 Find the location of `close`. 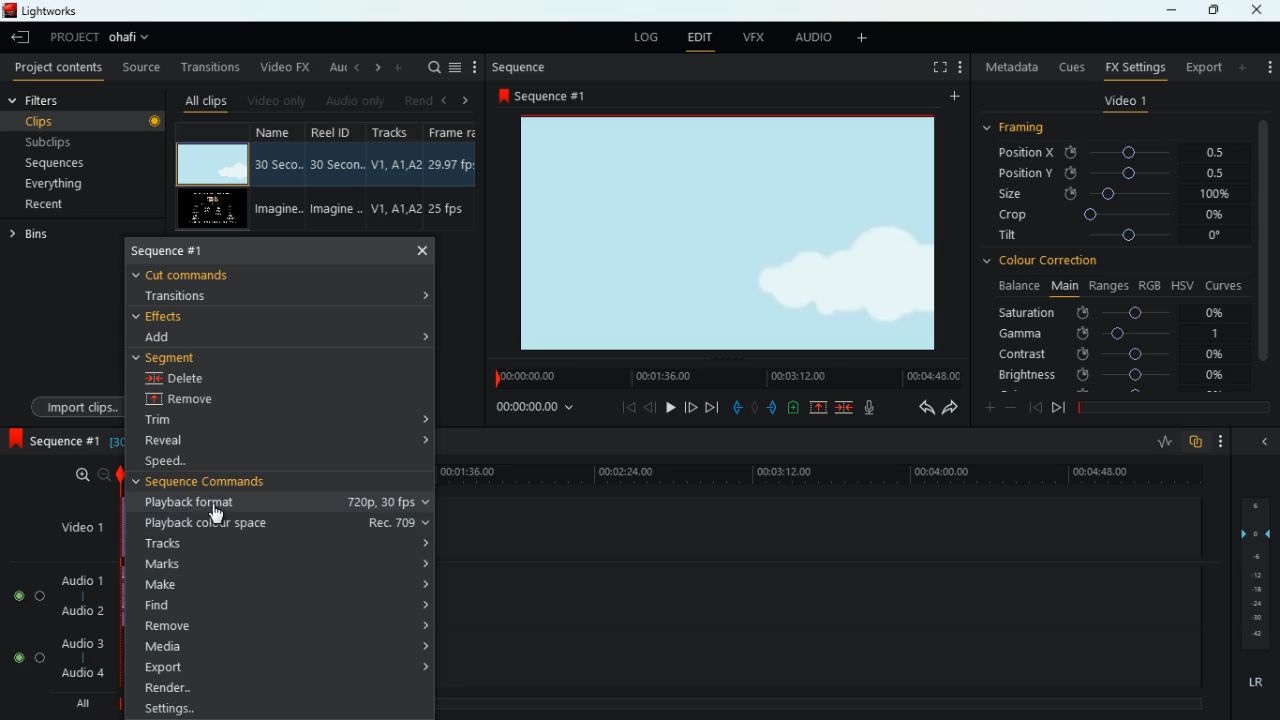

close is located at coordinates (1259, 10).